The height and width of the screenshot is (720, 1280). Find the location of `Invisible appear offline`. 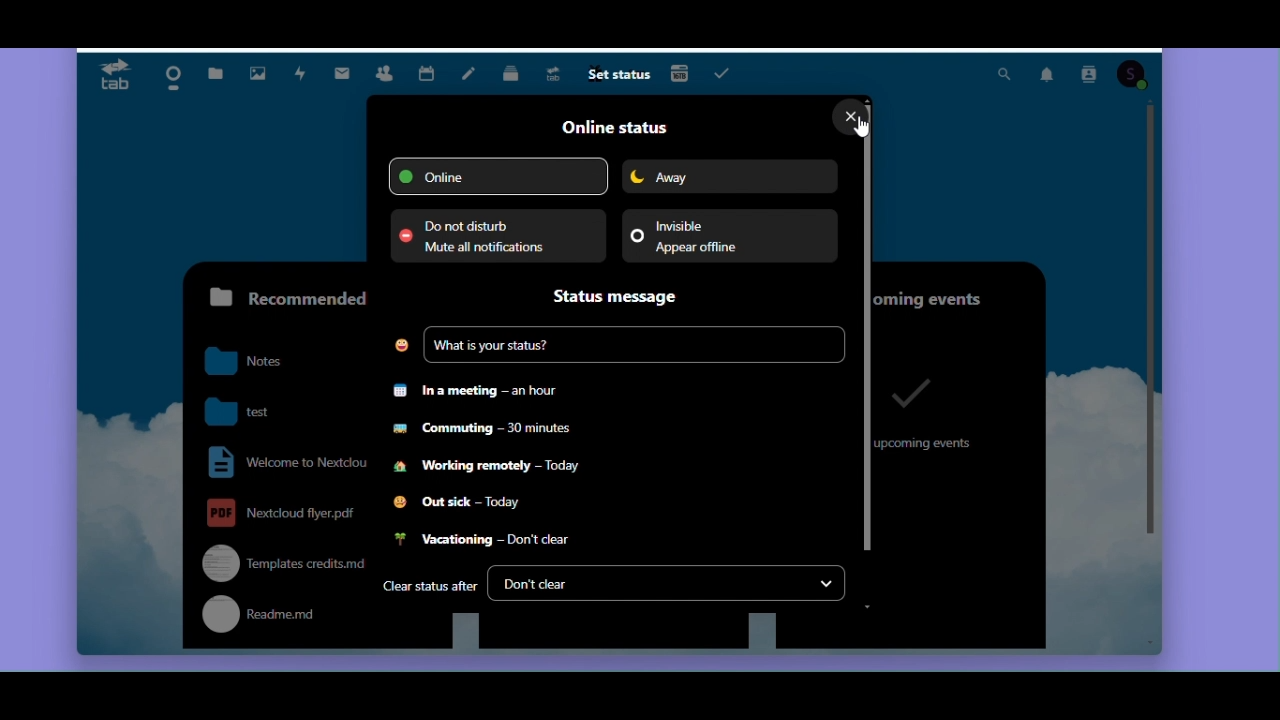

Invisible appear offline is located at coordinates (729, 235).